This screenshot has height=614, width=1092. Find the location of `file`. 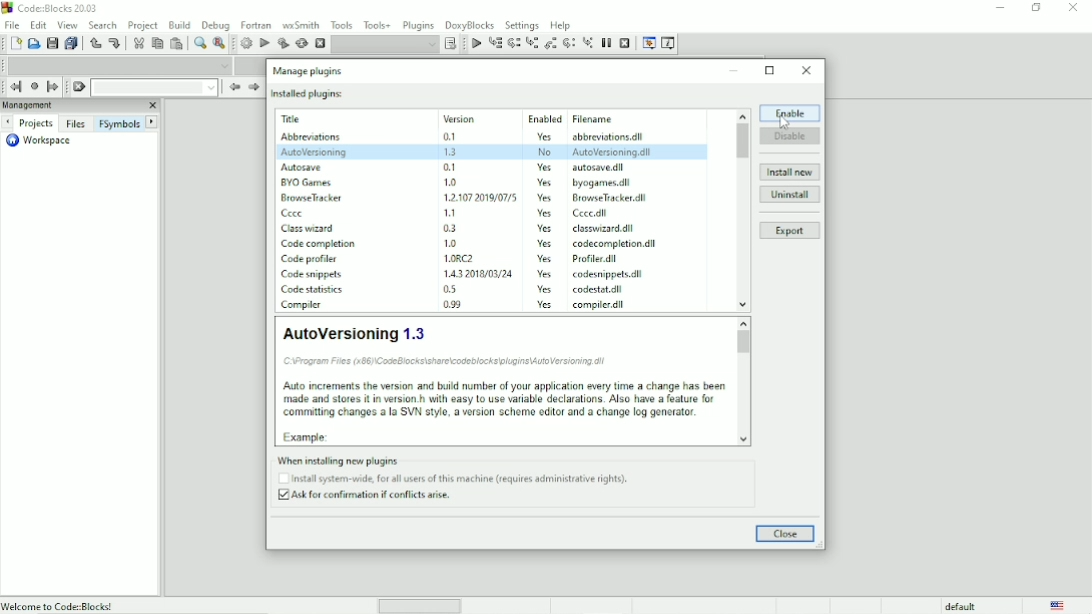

file is located at coordinates (599, 290).